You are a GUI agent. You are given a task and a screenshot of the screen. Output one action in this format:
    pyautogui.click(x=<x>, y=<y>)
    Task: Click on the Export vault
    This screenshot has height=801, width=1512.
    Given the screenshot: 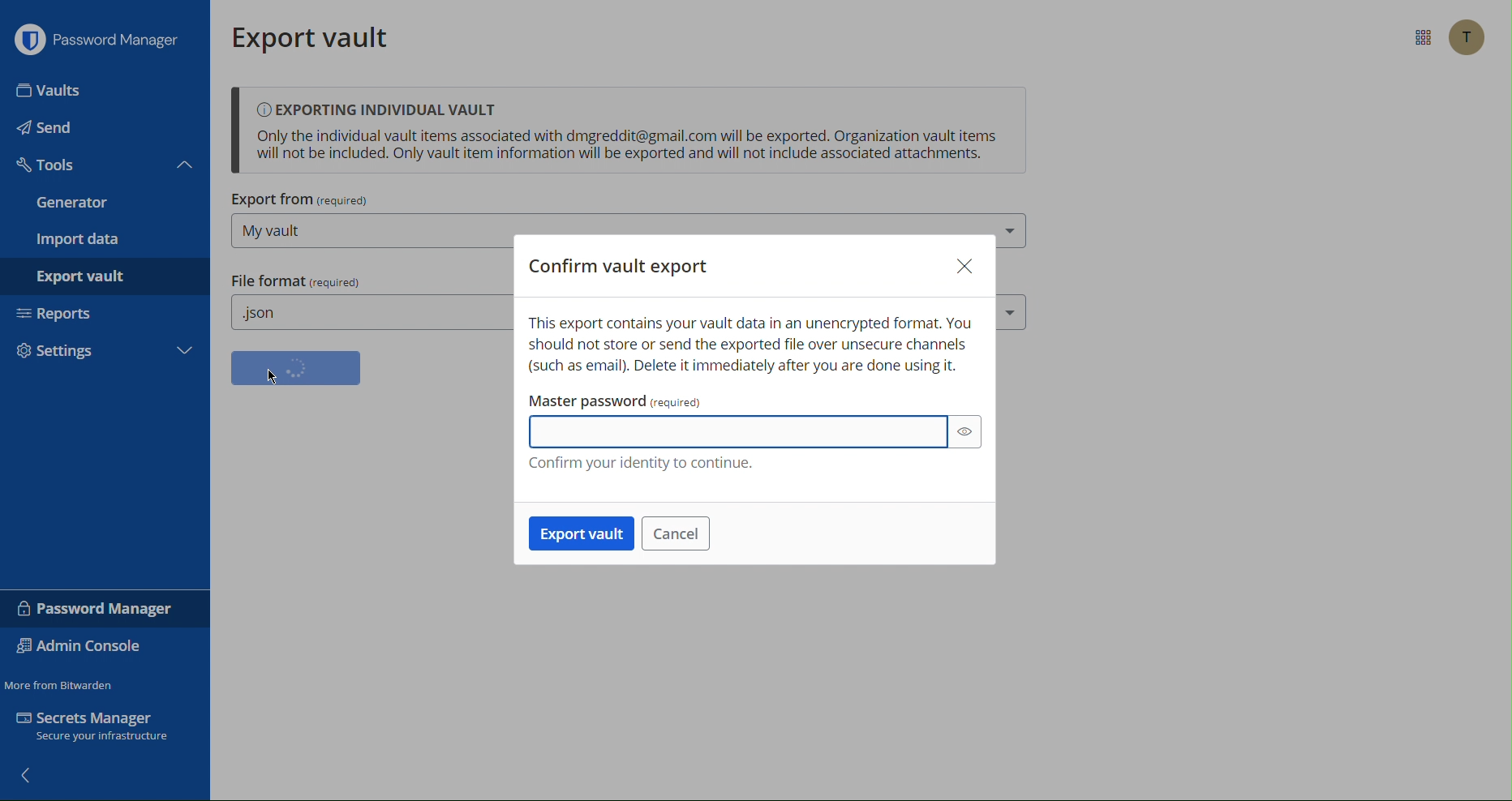 What is the action you would take?
    pyautogui.click(x=582, y=533)
    